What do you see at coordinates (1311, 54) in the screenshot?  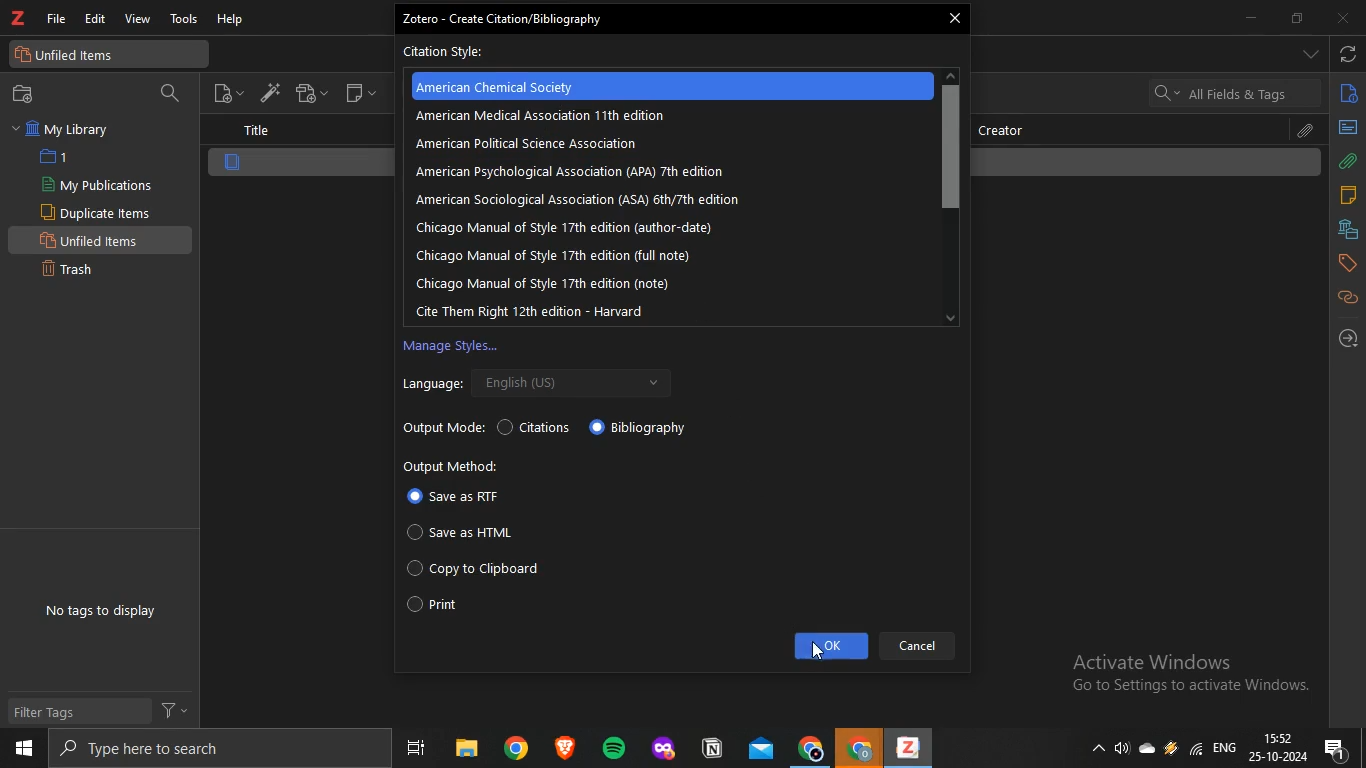 I see `drop down` at bounding box center [1311, 54].